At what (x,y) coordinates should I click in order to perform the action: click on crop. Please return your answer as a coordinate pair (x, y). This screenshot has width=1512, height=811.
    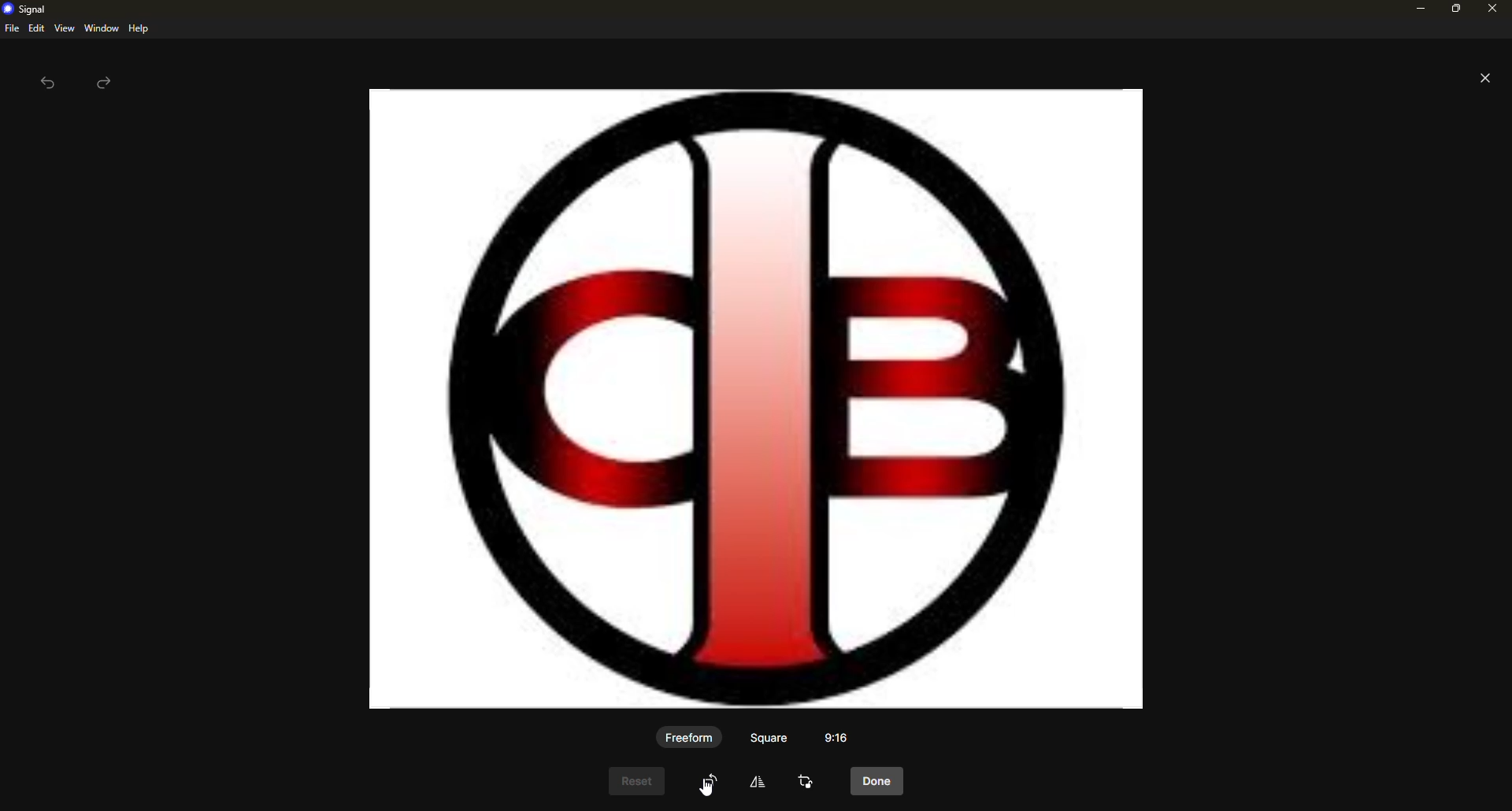
    Looking at the image, I should click on (810, 783).